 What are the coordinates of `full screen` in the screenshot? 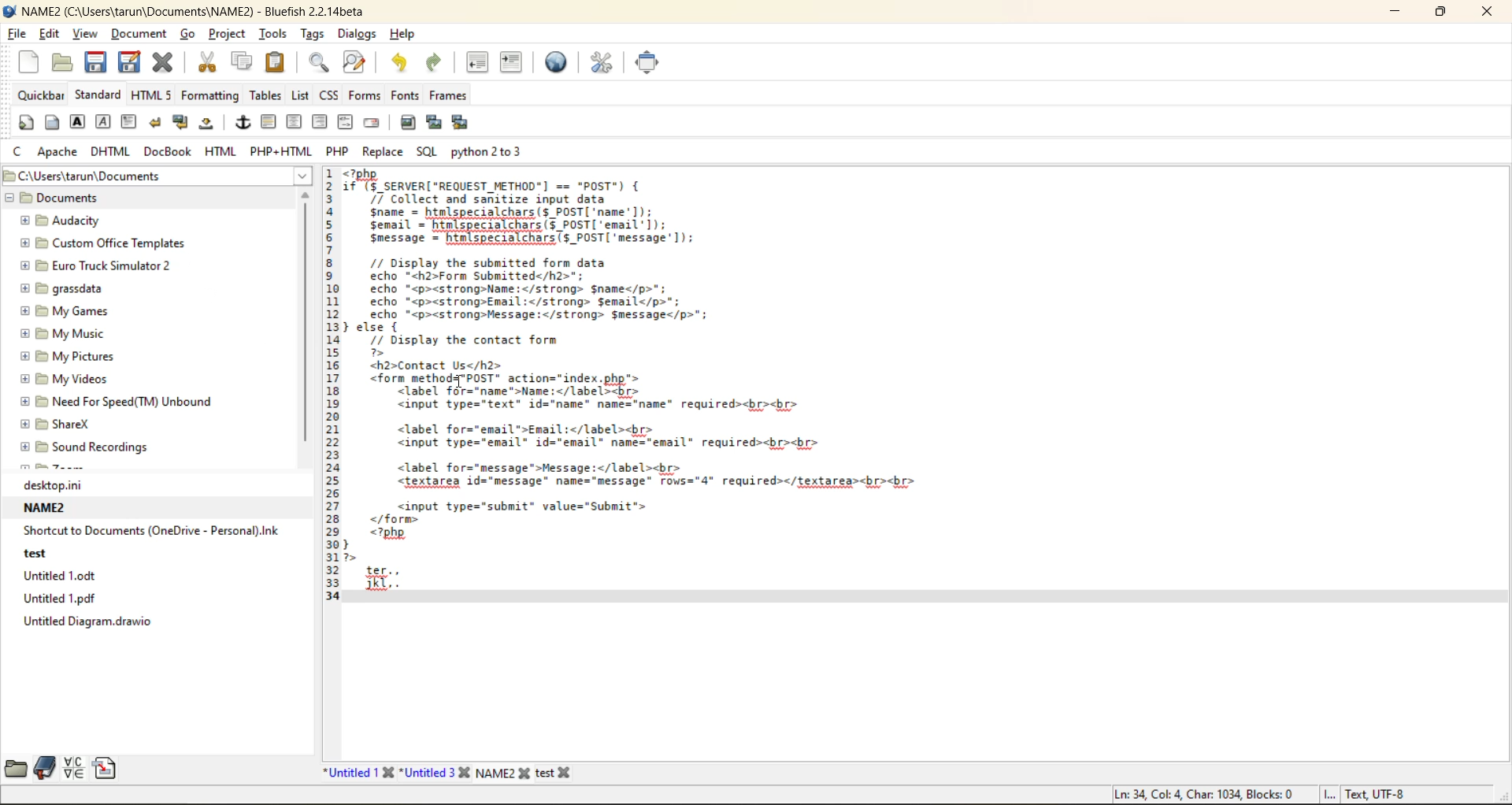 It's located at (646, 61).